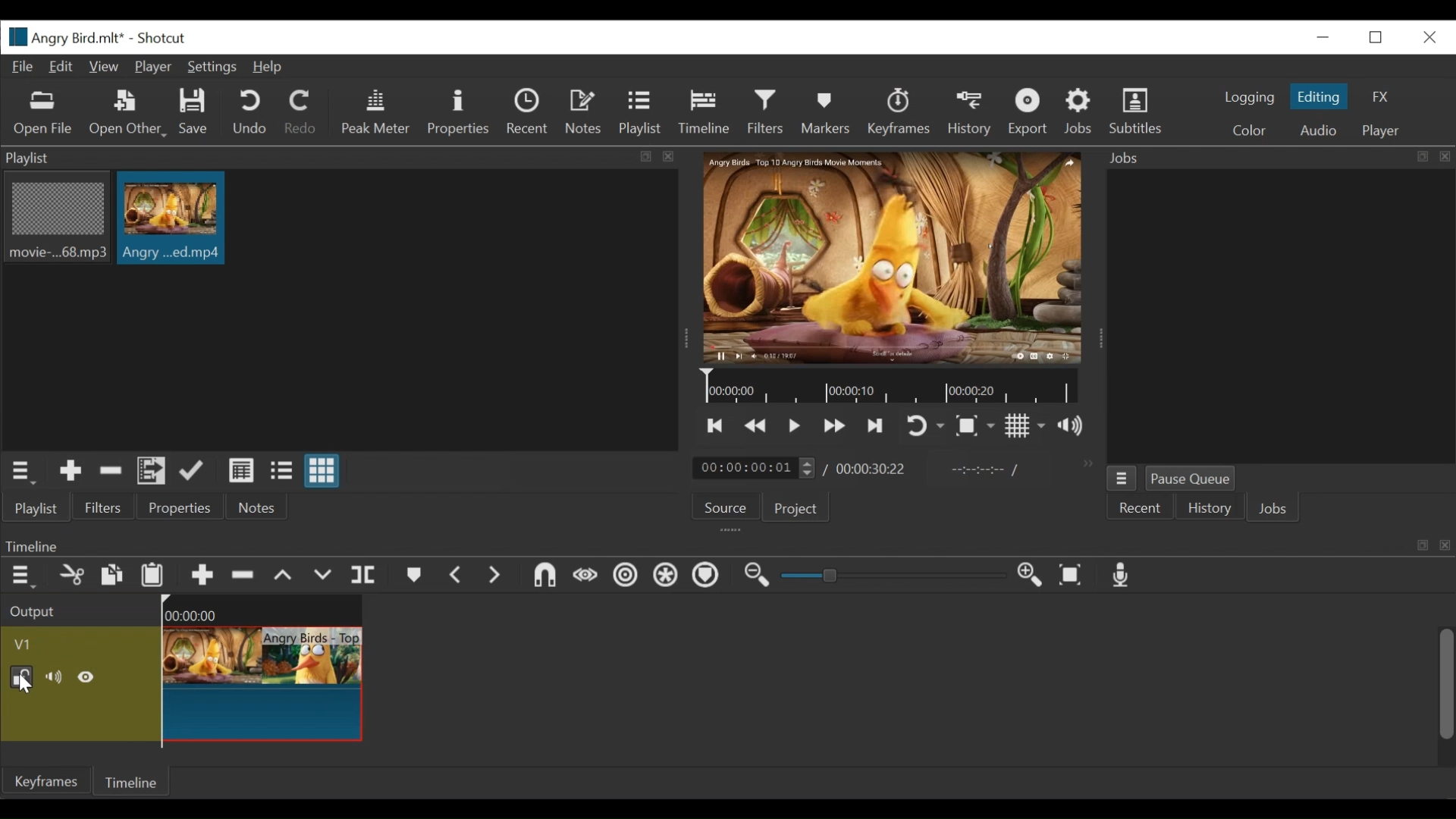 This screenshot has width=1456, height=819. I want to click on Color, so click(1253, 130).